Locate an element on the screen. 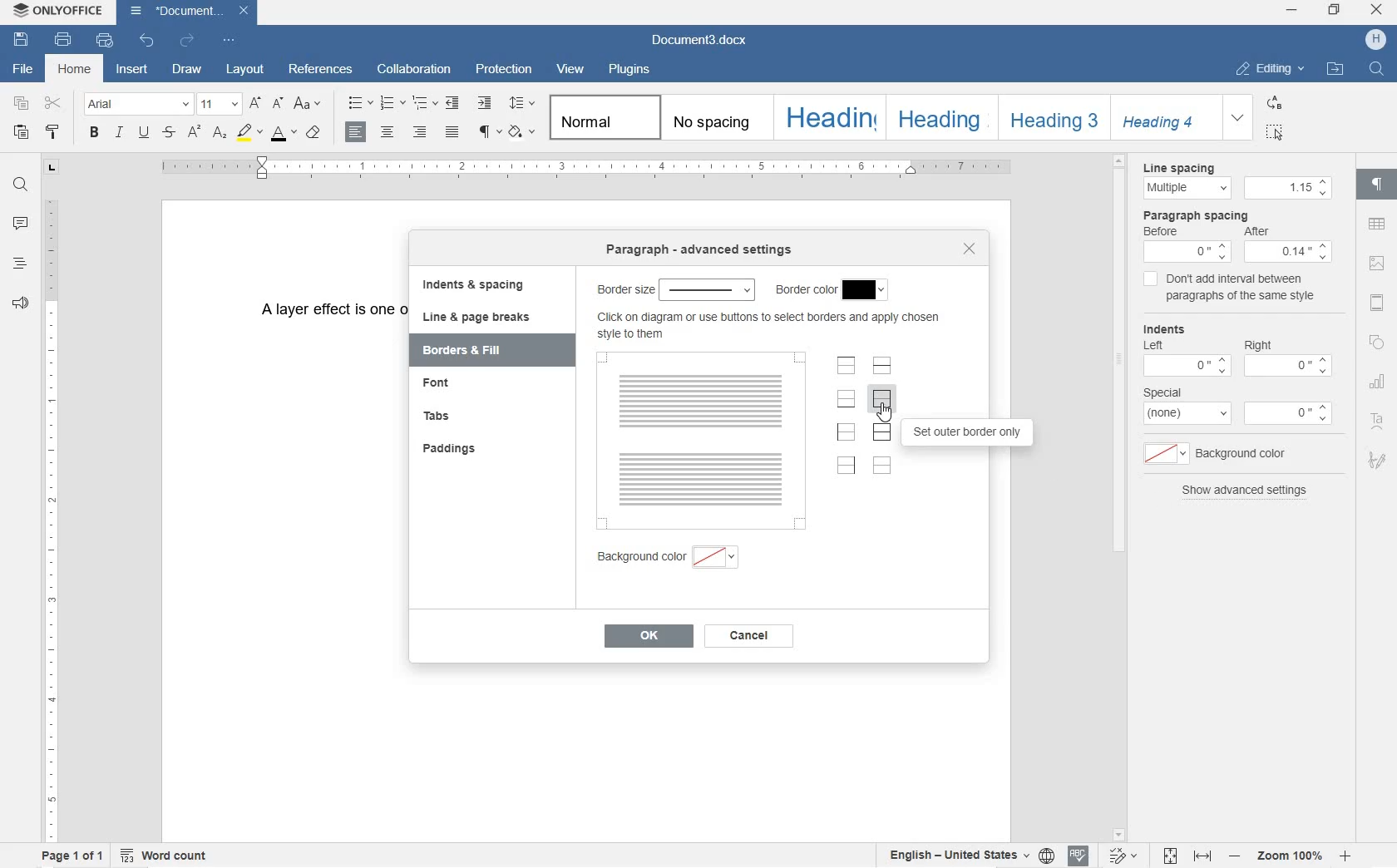 Image resolution: width=1397 pixels, height=868 pixels. Indents Left is located at coordinates (1187, 351).